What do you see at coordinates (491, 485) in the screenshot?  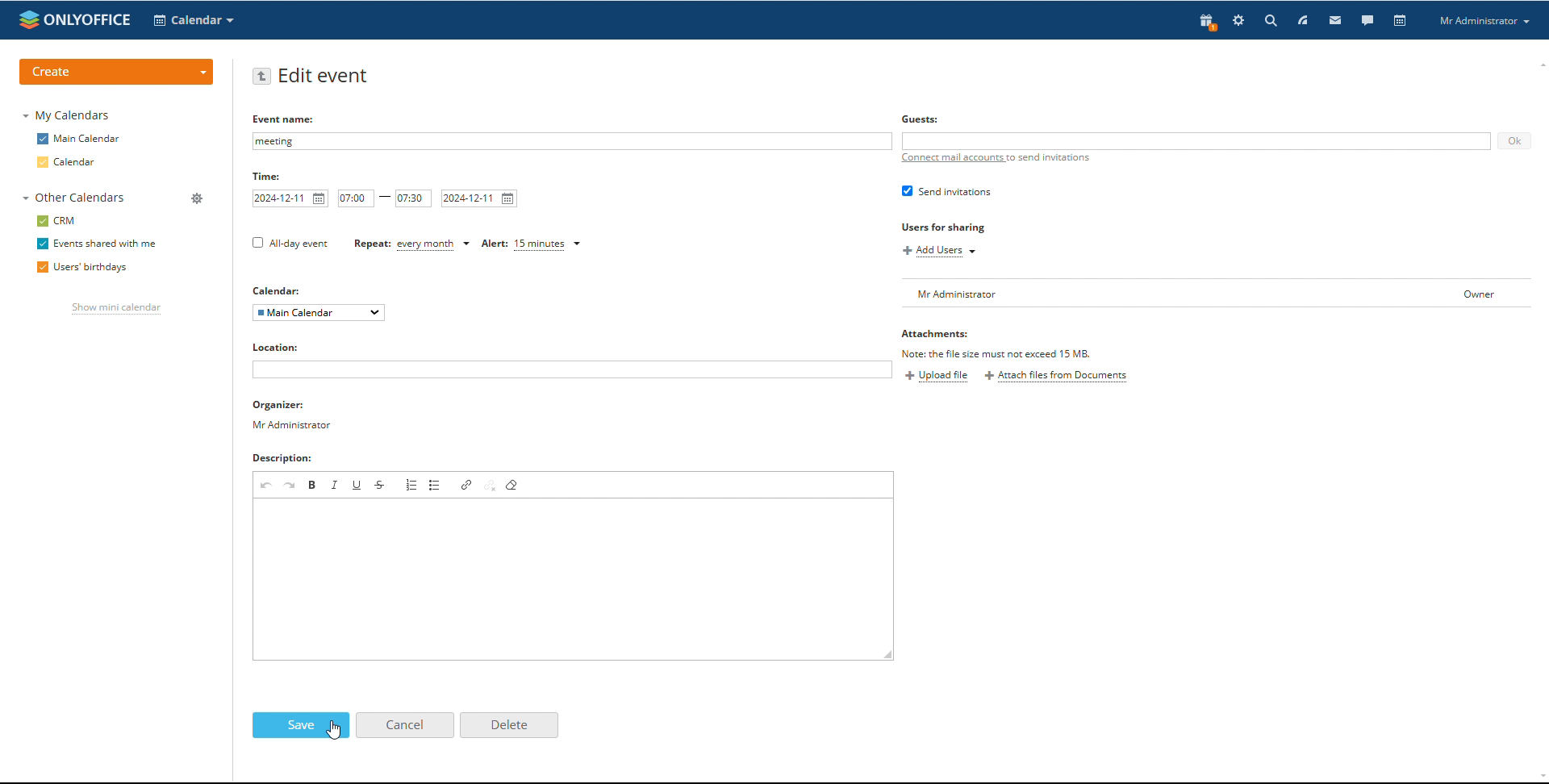 I see `unlink` at bounding box center [491, 485].